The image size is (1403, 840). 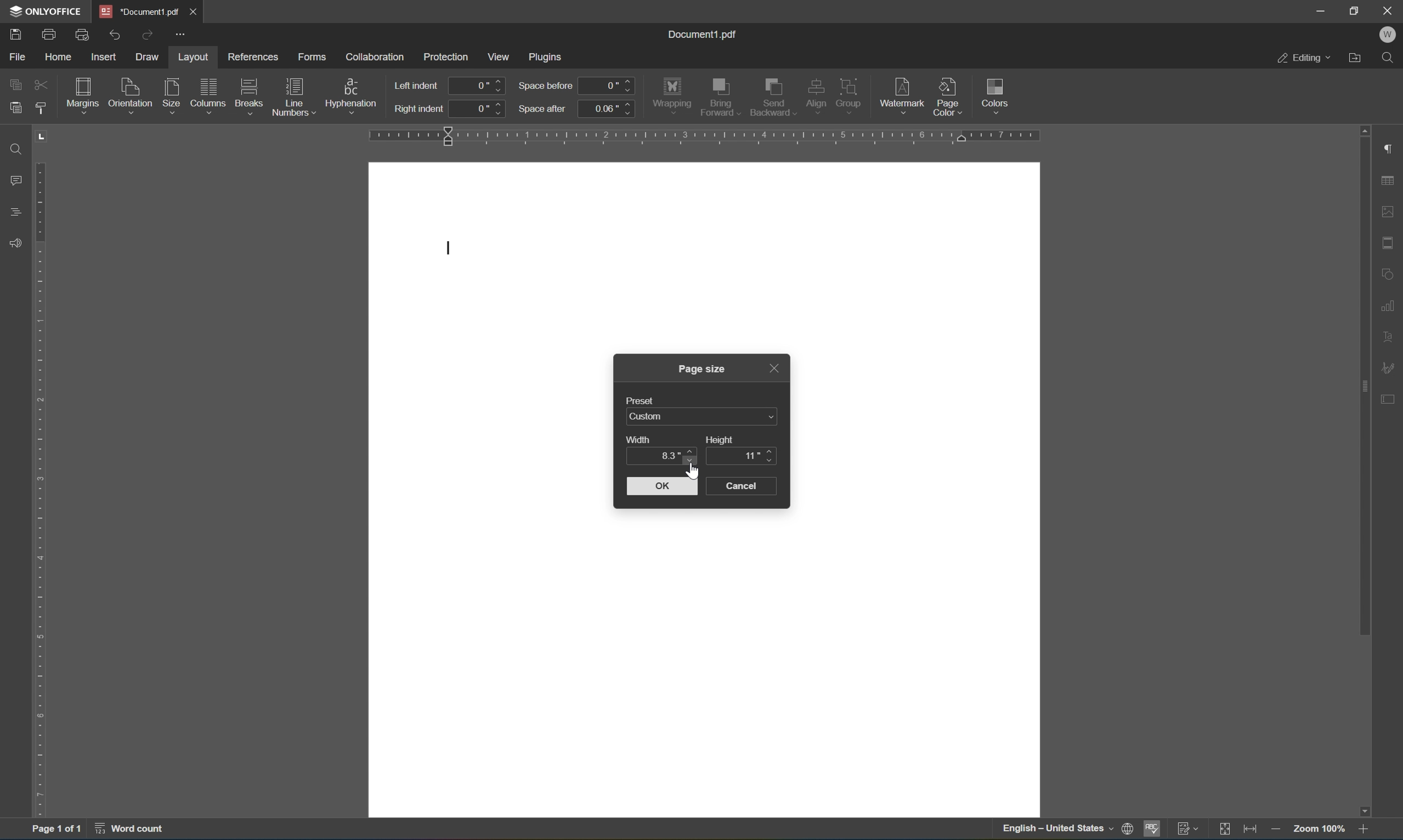 What do you see at coordinates (543, 108) in the screenshot?
I see `space after` at bounding box center [543, 108].